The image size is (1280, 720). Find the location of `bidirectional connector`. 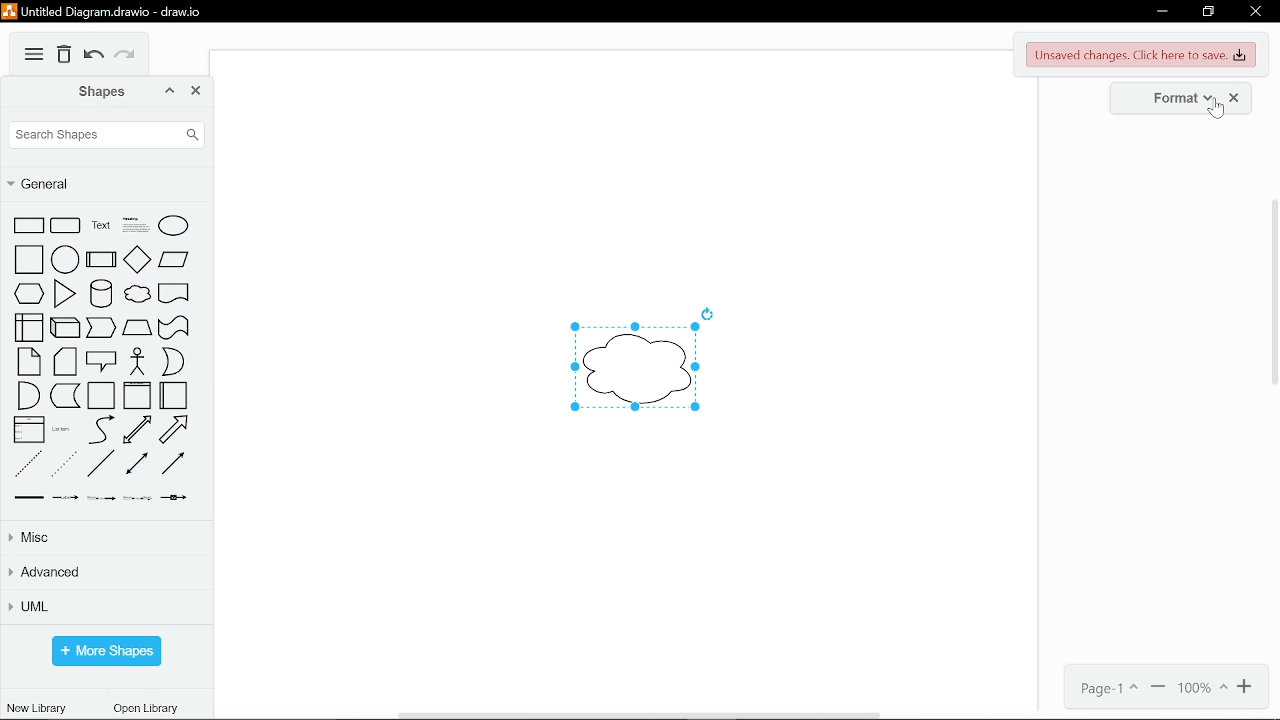

bidirectional connector is located at coordinates (136, 464).